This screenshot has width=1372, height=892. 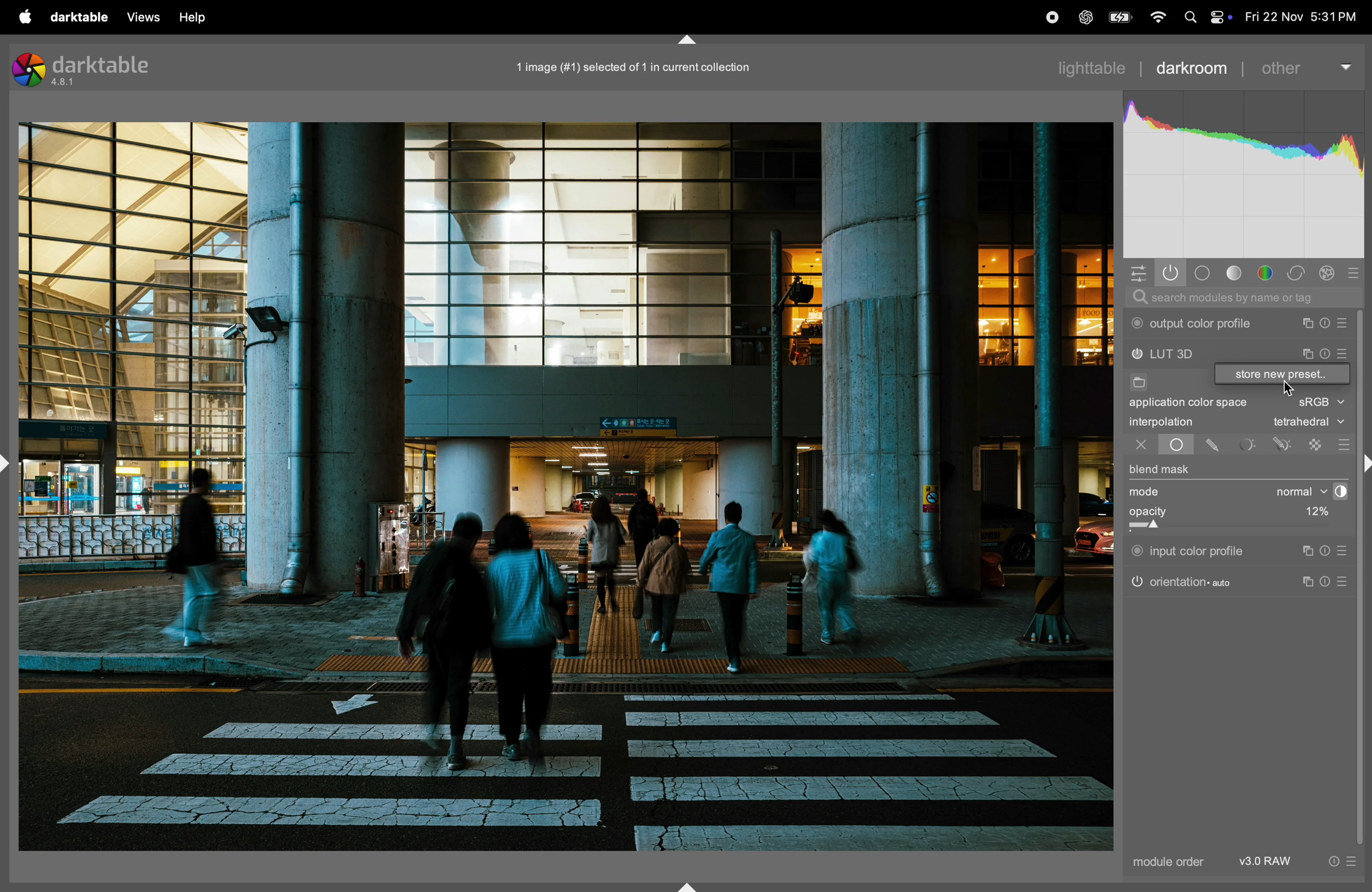 What do you see at coordinates (1187, 355) in the screenshot?
I see `lut 3d` at bounding box center [1187, 355].